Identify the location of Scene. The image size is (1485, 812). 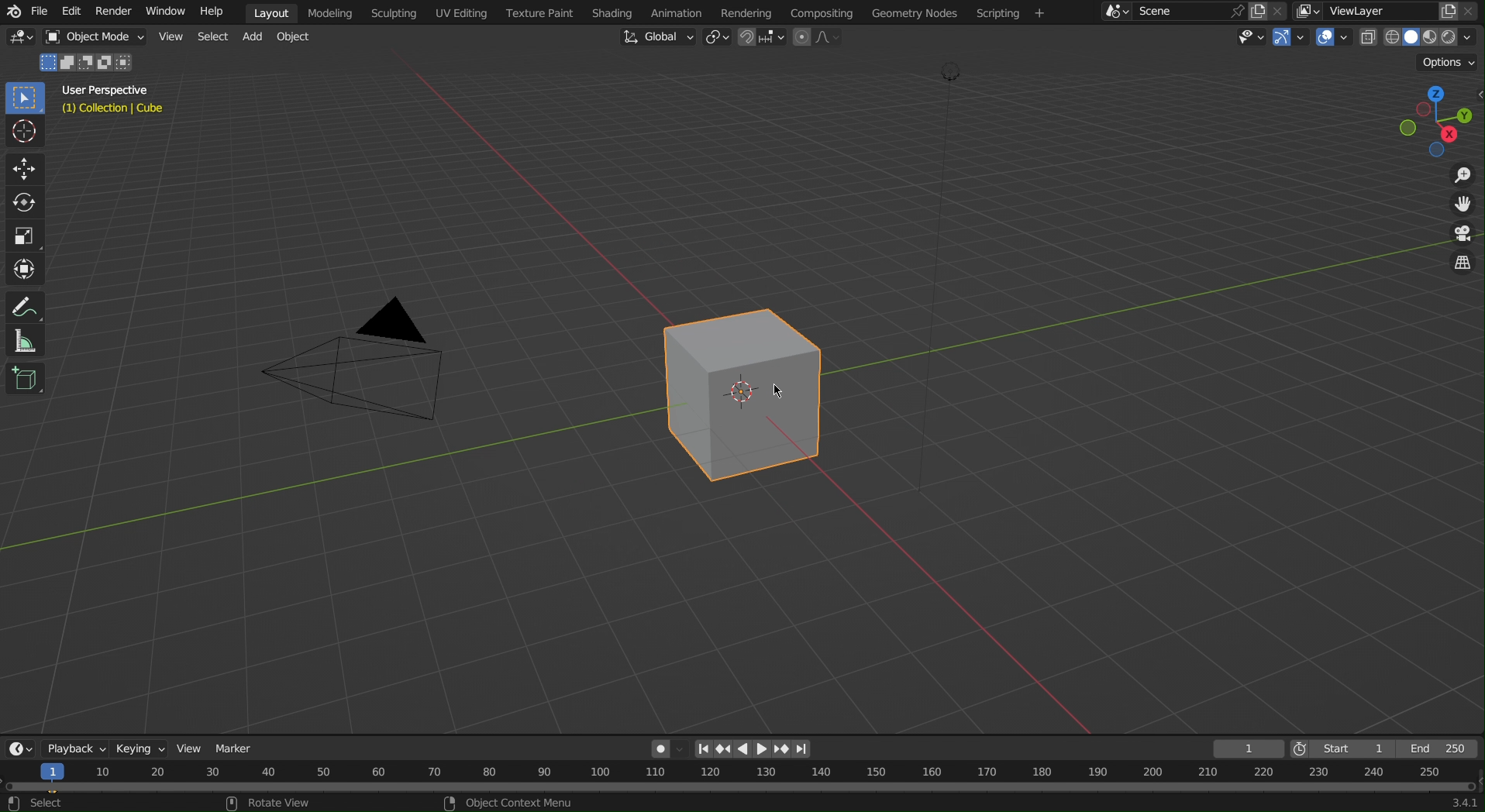
(1280, 12).